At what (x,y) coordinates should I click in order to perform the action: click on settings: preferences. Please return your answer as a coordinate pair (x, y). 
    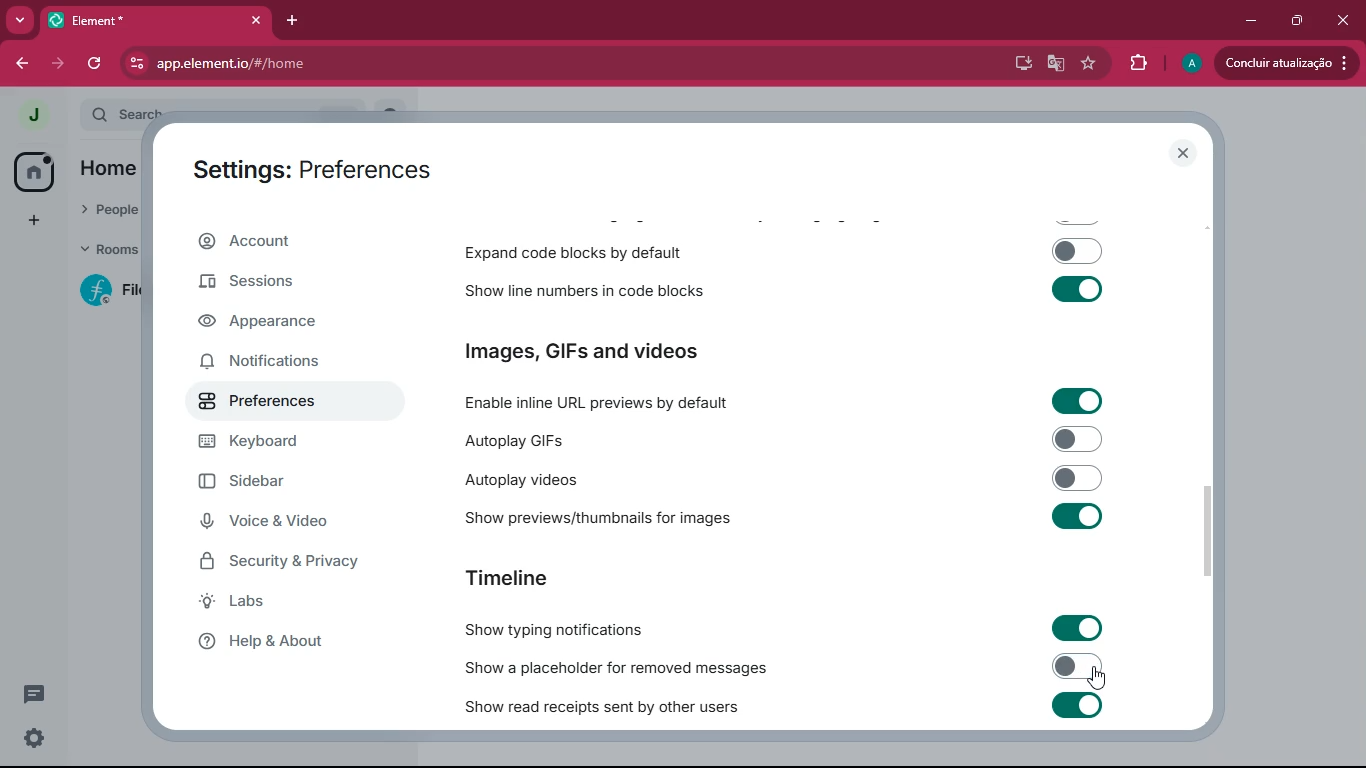
    Looking at the image, I should click on (310, 166).